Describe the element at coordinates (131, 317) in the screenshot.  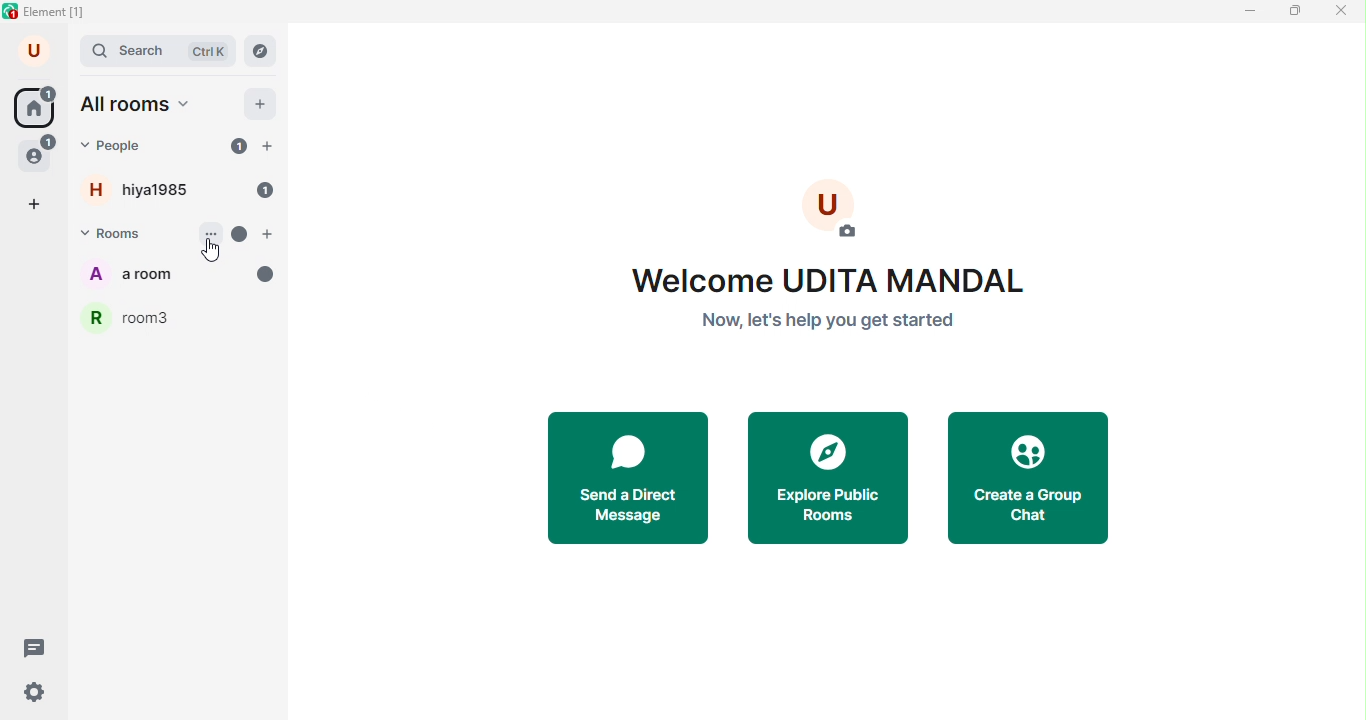
I see `room3` at that location.